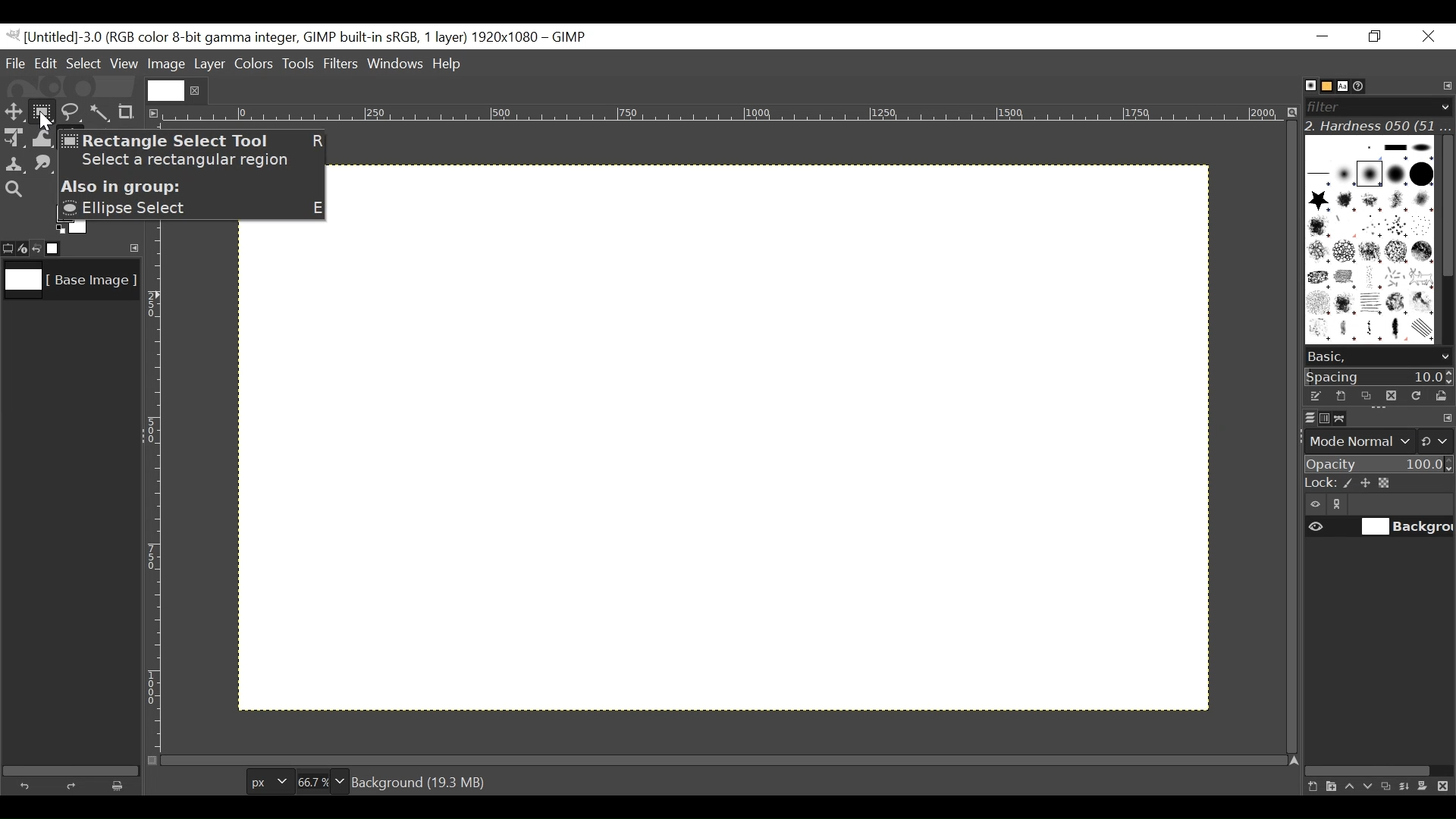 The height and width of the screenshot is (819, 1456). Describe the element at coordinates (752, 475) in the screenshot. I see `Grid` at that location.